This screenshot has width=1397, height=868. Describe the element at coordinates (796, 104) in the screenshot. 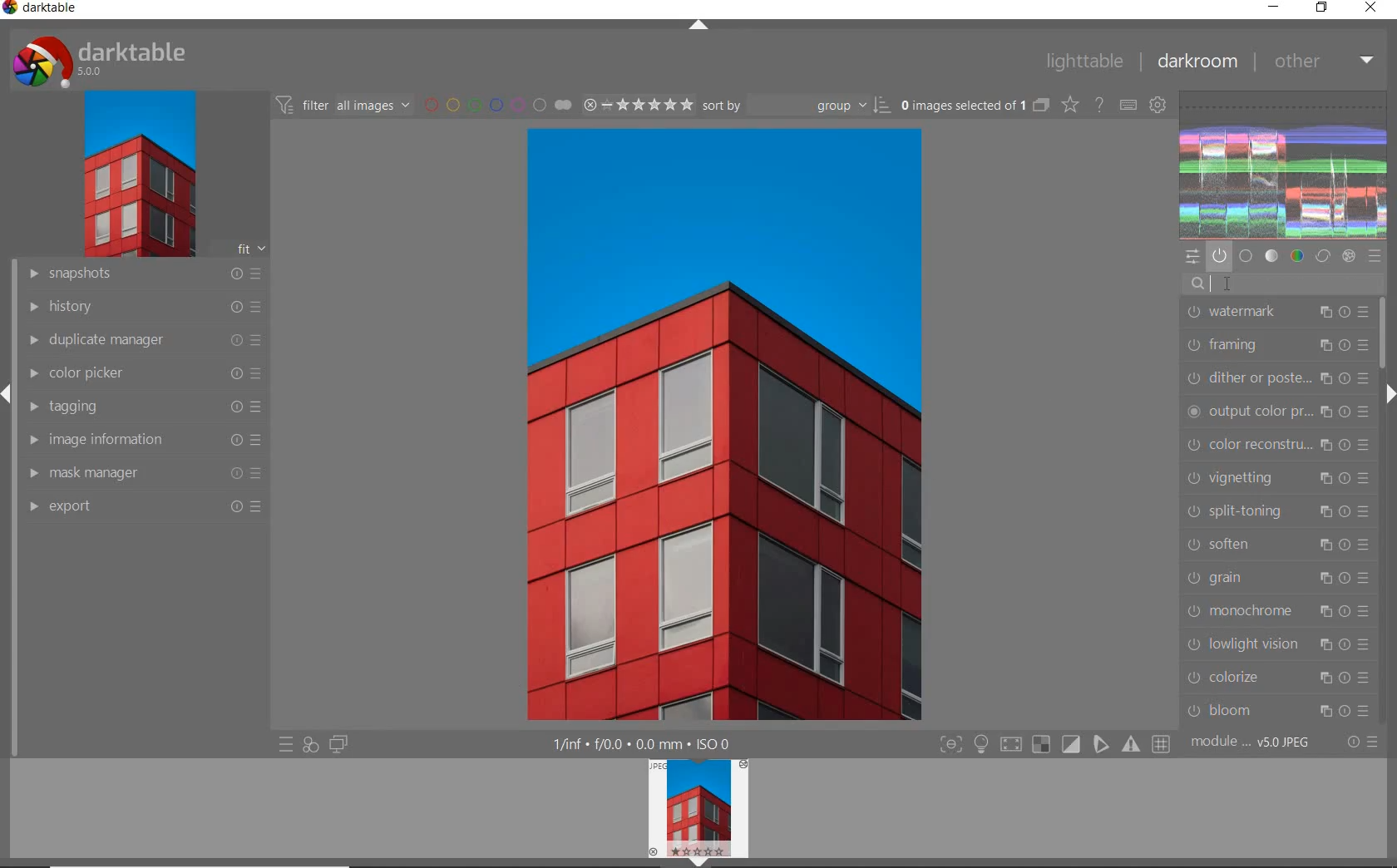

I see `sort` at that location.